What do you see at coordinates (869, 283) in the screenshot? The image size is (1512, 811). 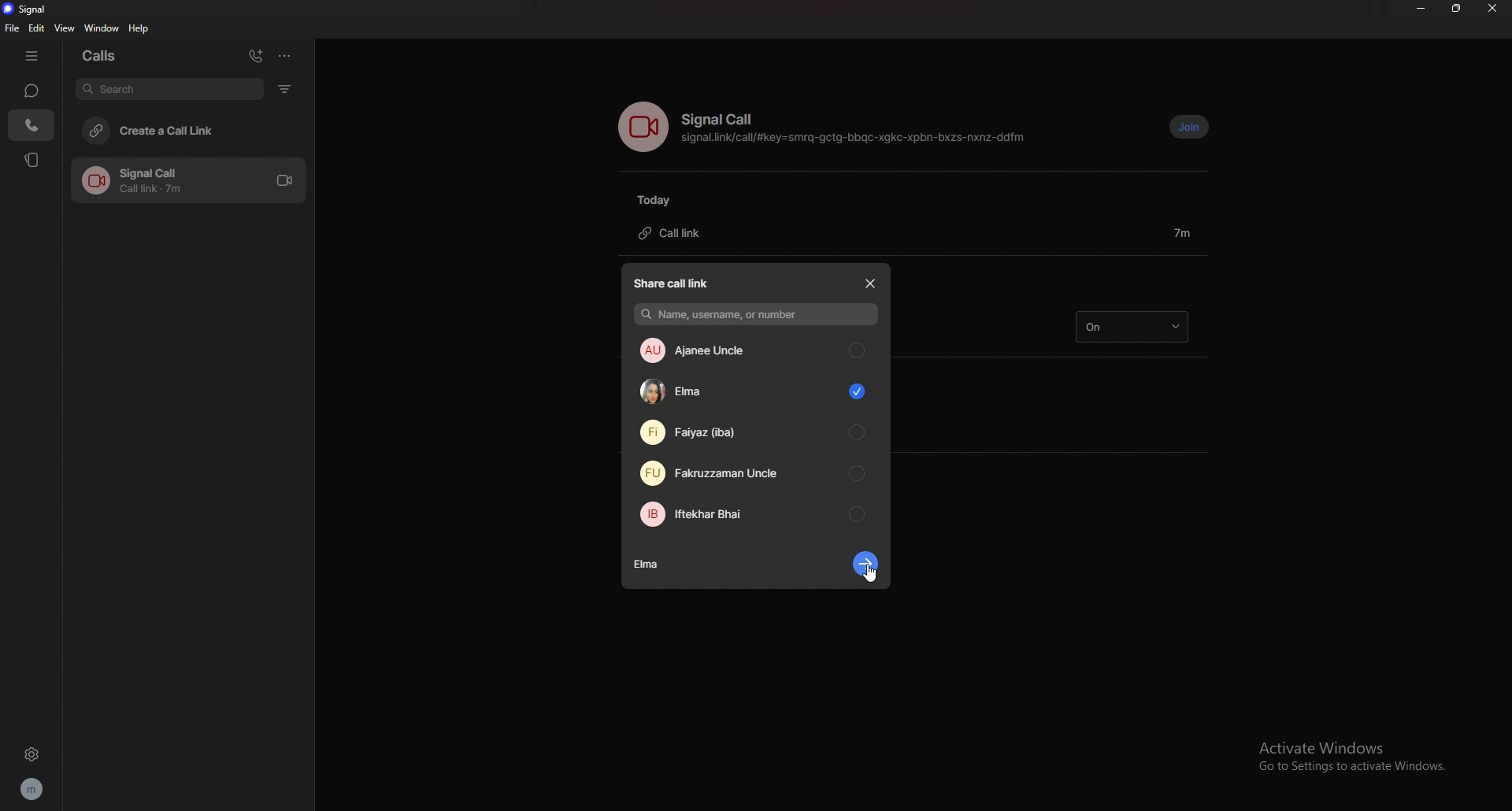 I see `close` at bounding box center [869, 283].